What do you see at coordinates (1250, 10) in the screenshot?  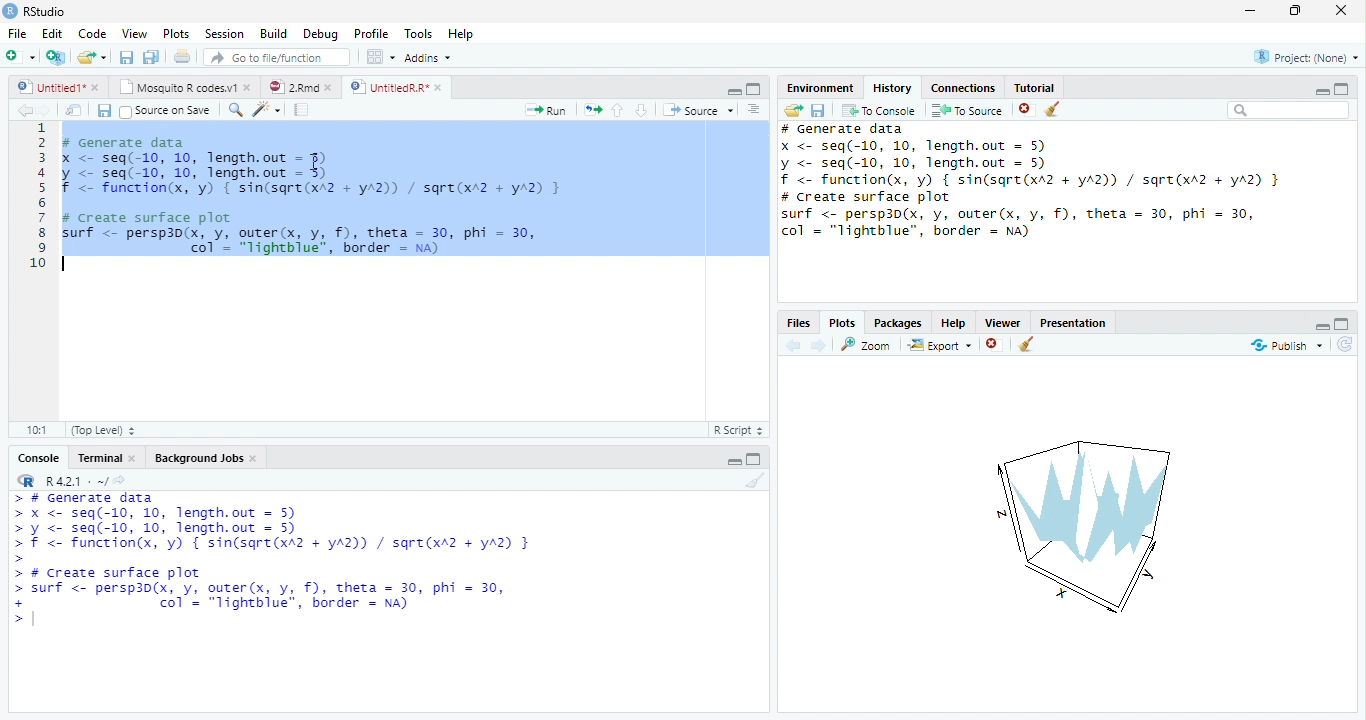 I see `minimize` at bounding box center [1250, 10].